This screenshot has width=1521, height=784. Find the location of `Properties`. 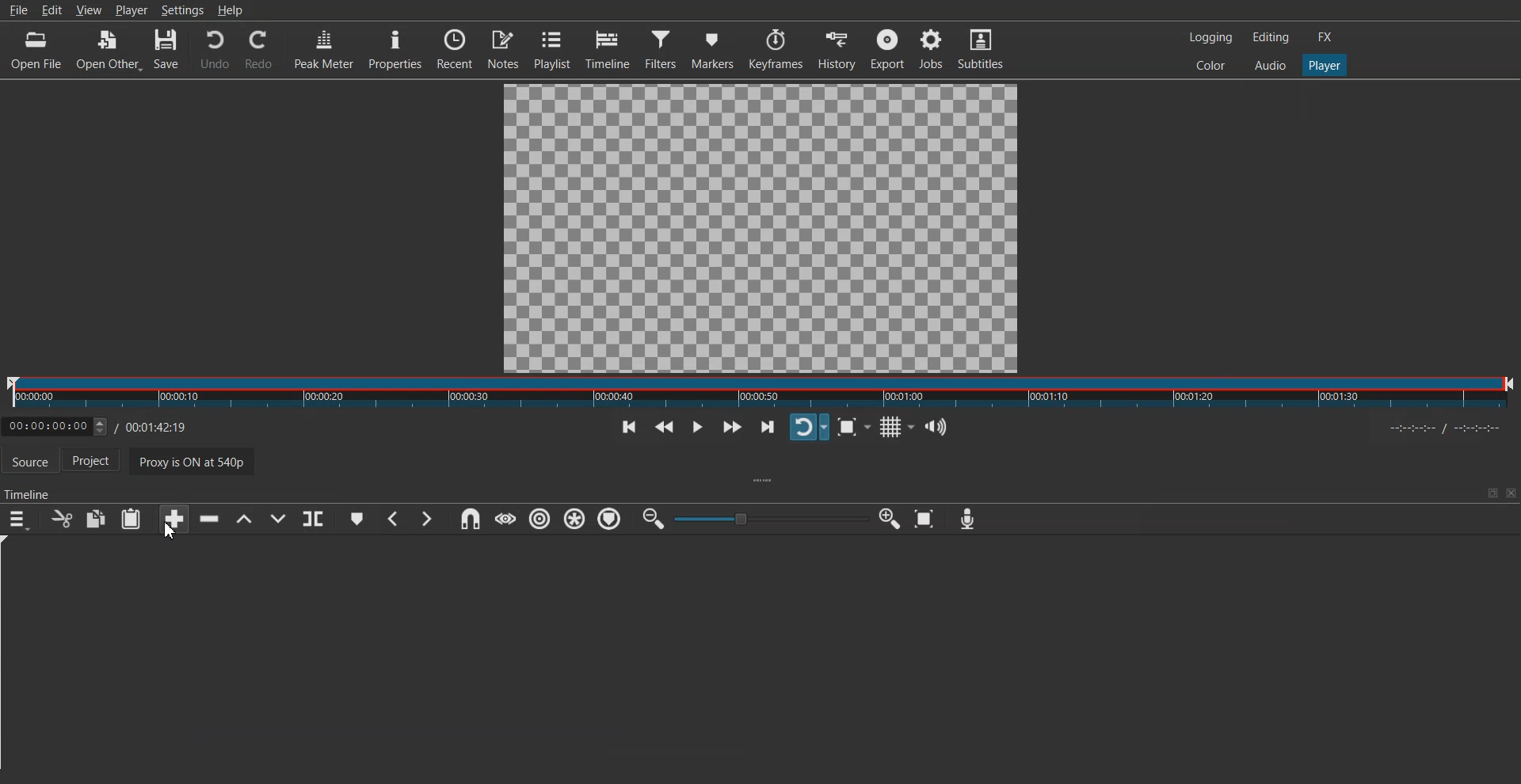

Properties is located at coordinates (395, 48).